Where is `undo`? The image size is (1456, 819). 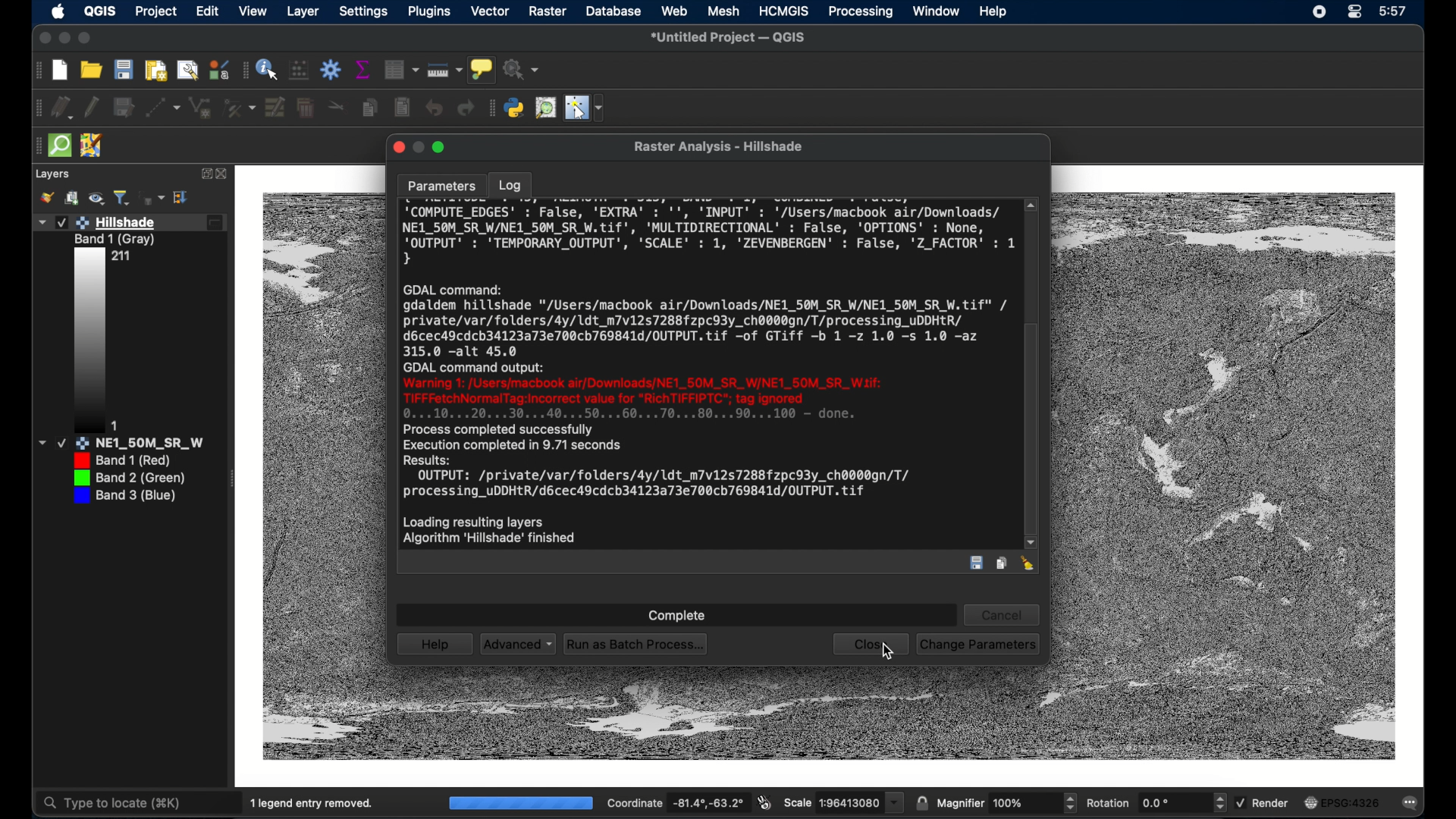
undo is located at coordinates (434, 108).